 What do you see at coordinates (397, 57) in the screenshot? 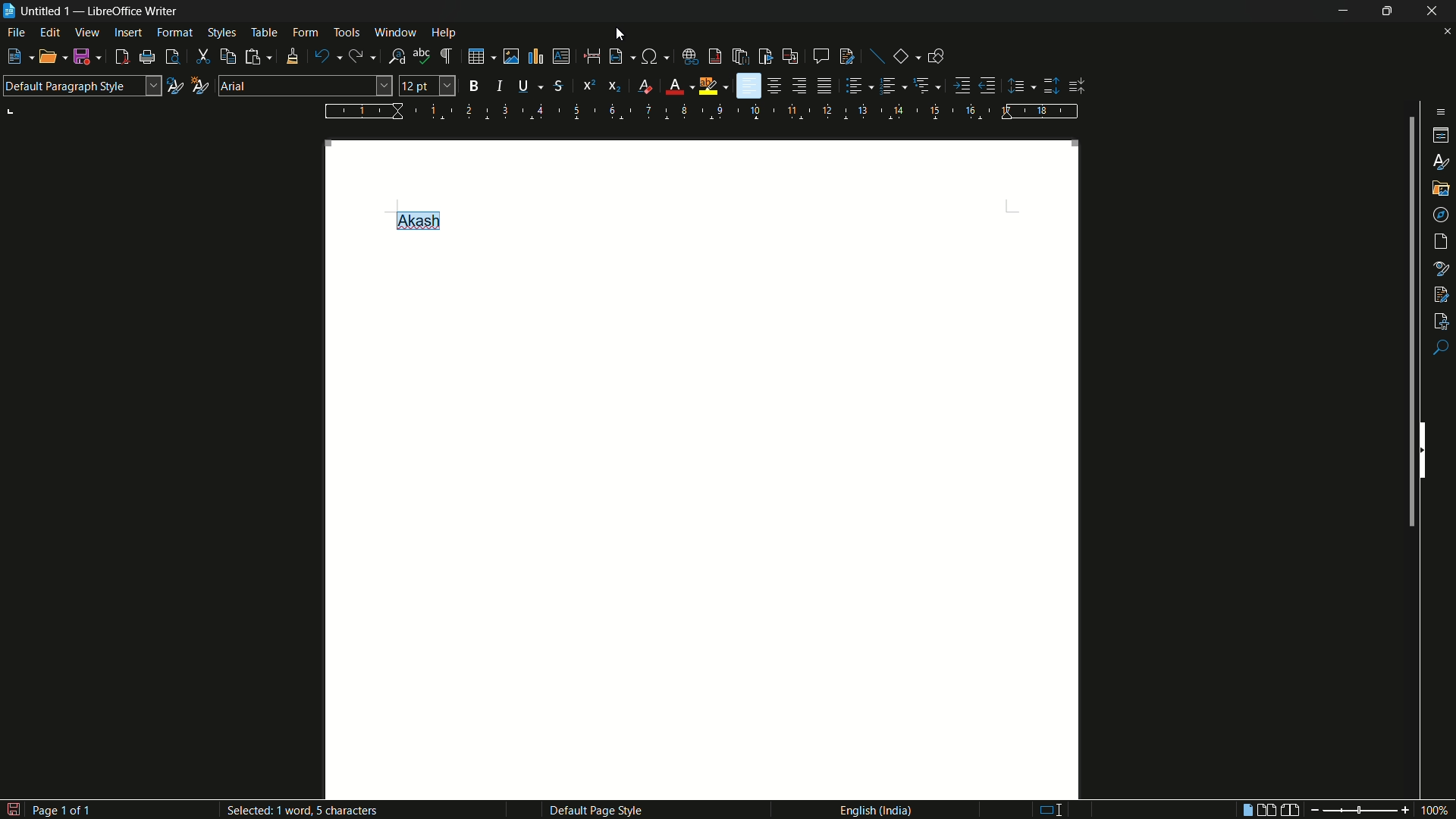
I see `find and replace` at bounding box center [397, 57].